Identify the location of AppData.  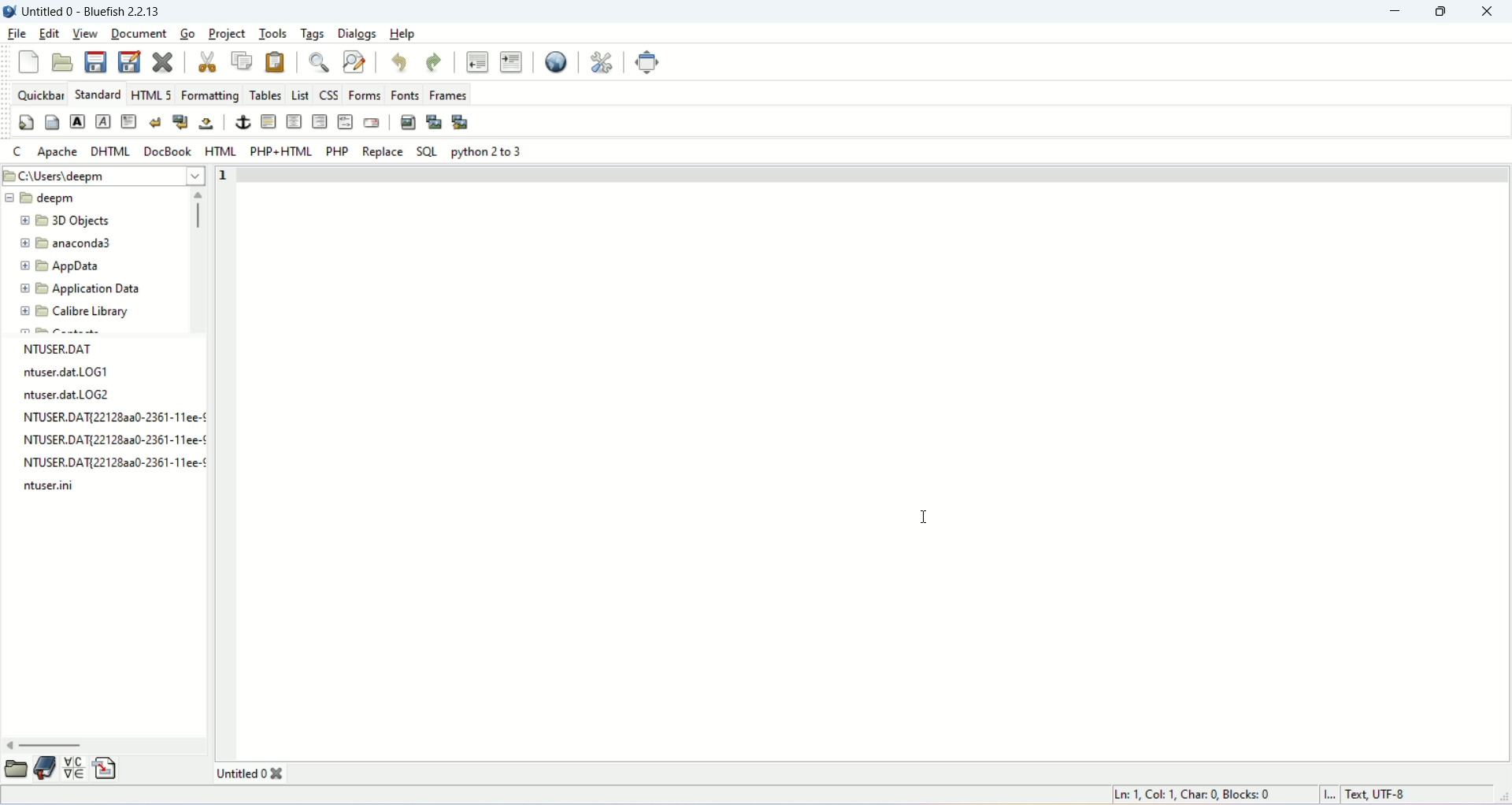
(83, 268).